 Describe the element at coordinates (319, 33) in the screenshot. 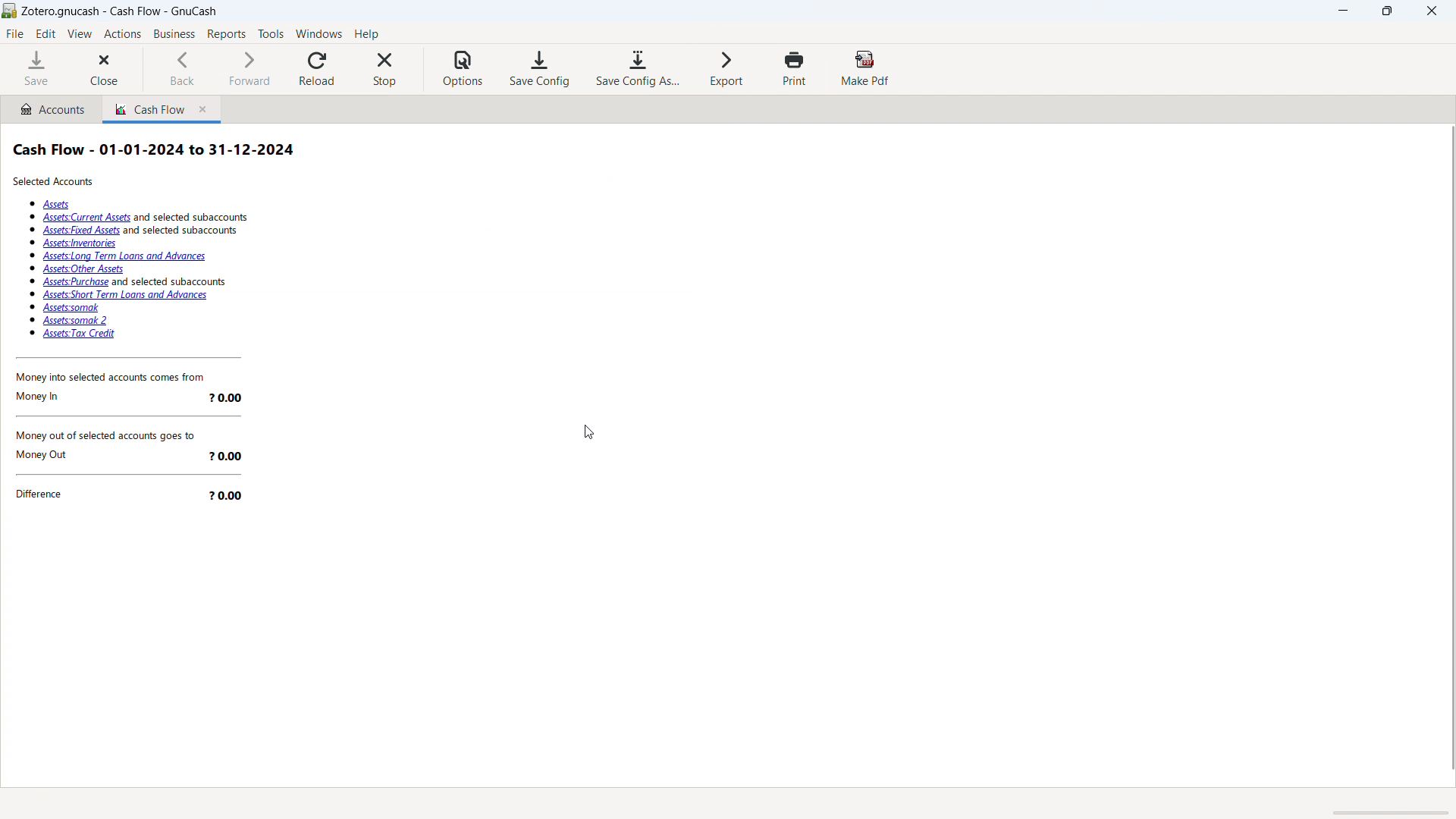

I see `windows` at that location.